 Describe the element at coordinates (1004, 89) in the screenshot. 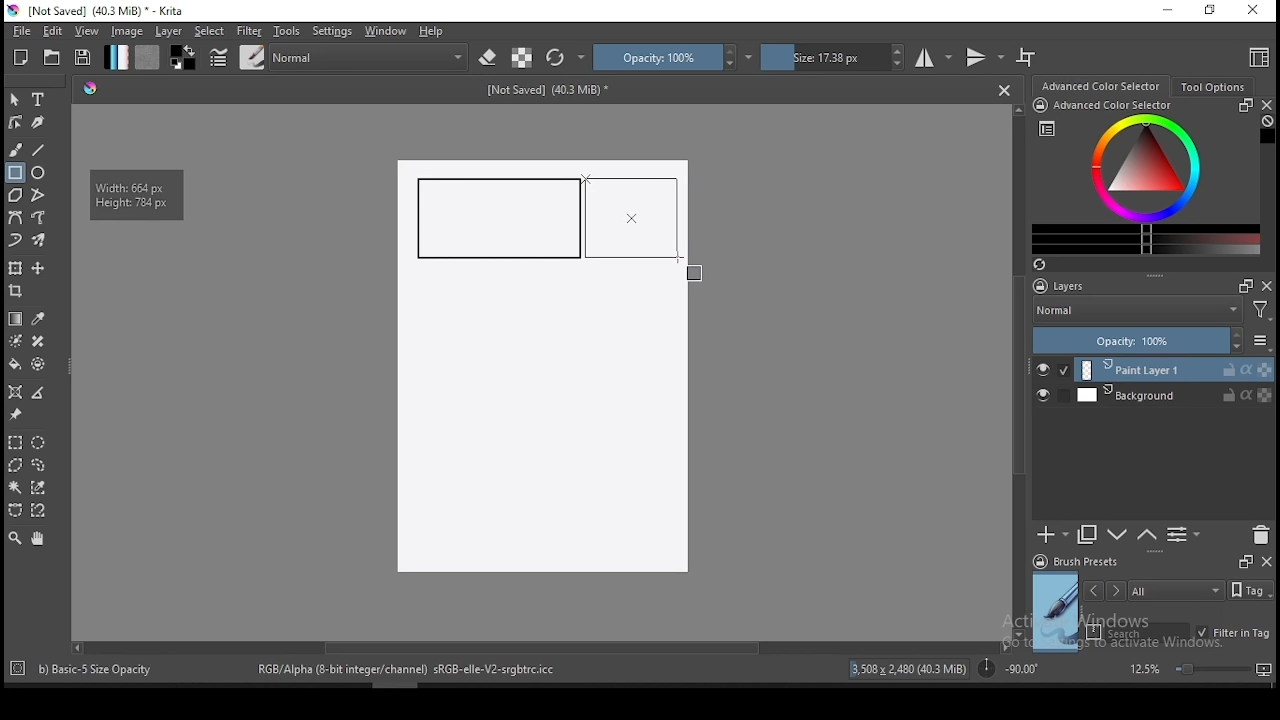

I see `Close` at that location.